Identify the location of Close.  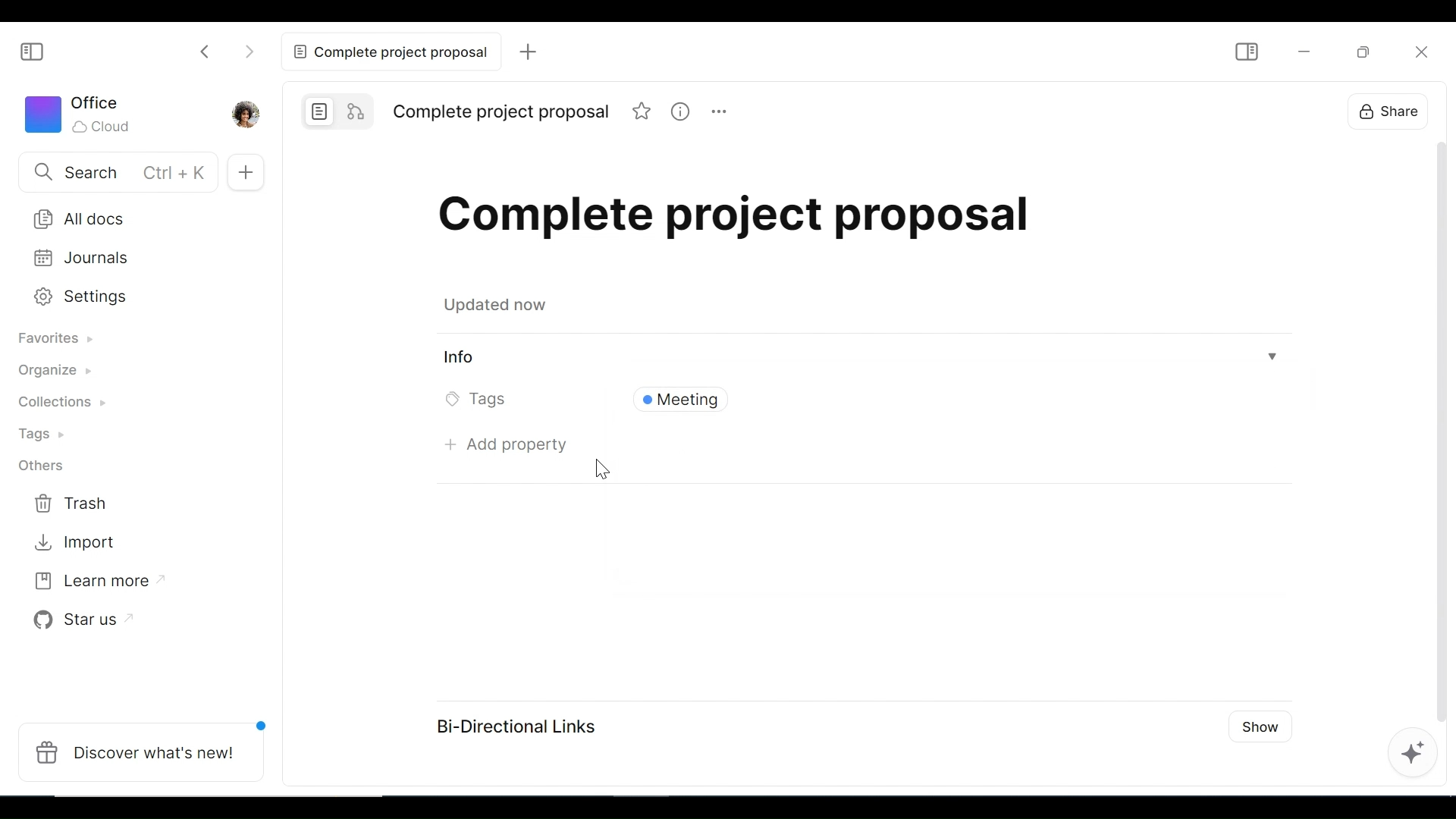
(1421, 49).